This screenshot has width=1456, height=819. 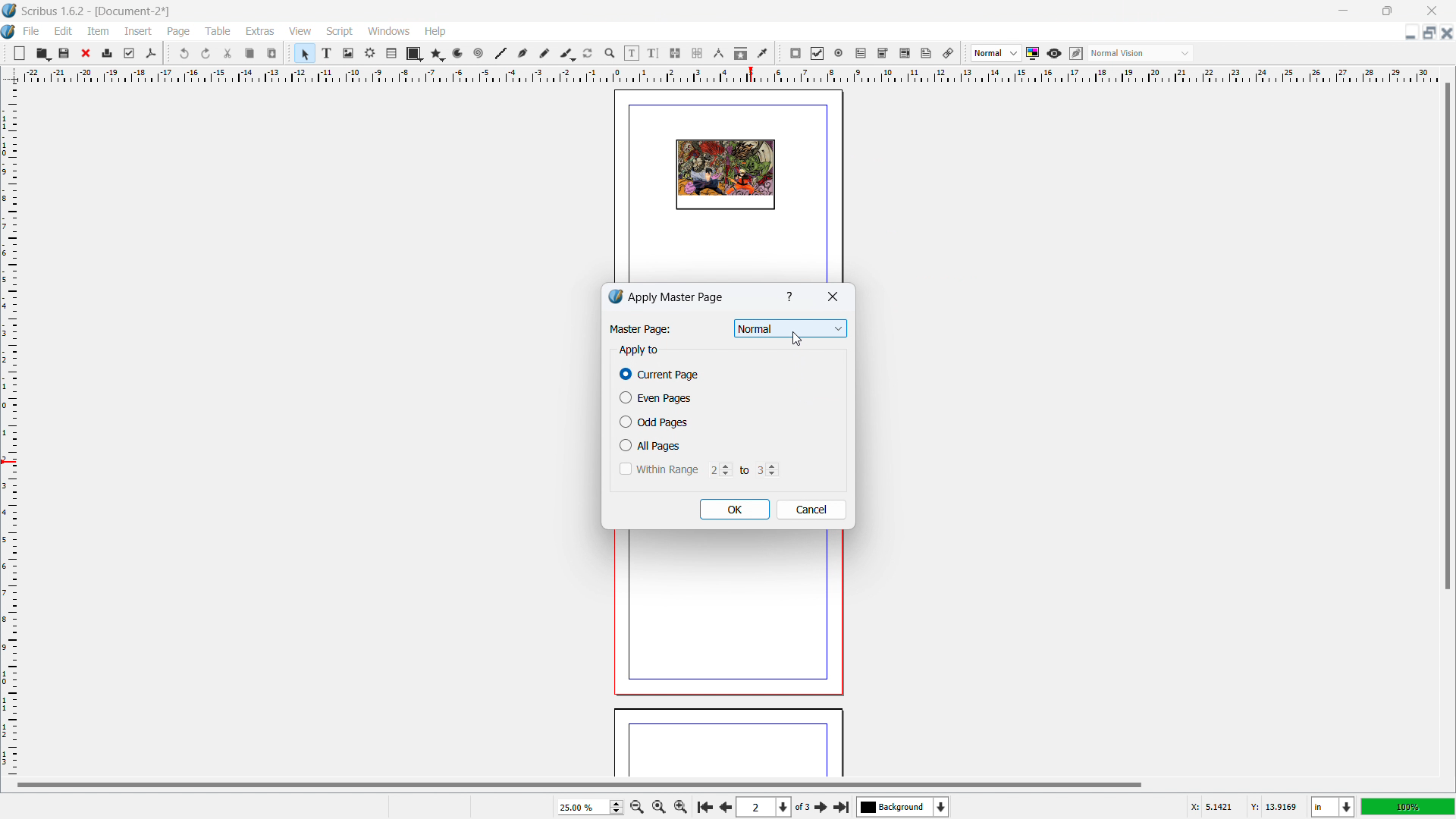 What do you see at coordinates (1141, 53) in the screenshot?
I see `select visual appearance of the display` at bounding box center [1141, 53].